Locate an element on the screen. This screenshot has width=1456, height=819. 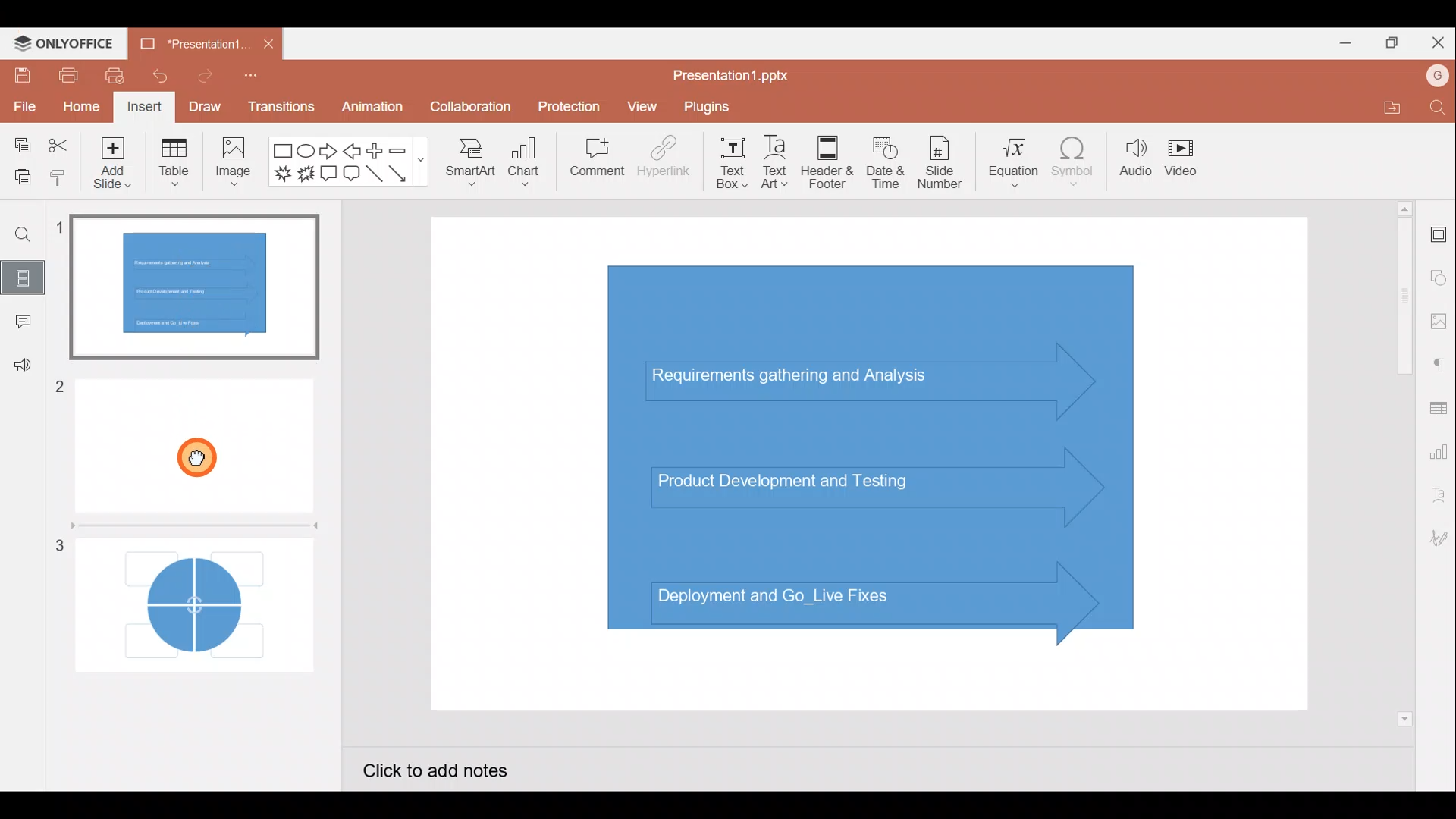
Click to add notes is located at coordinates (446, 767).